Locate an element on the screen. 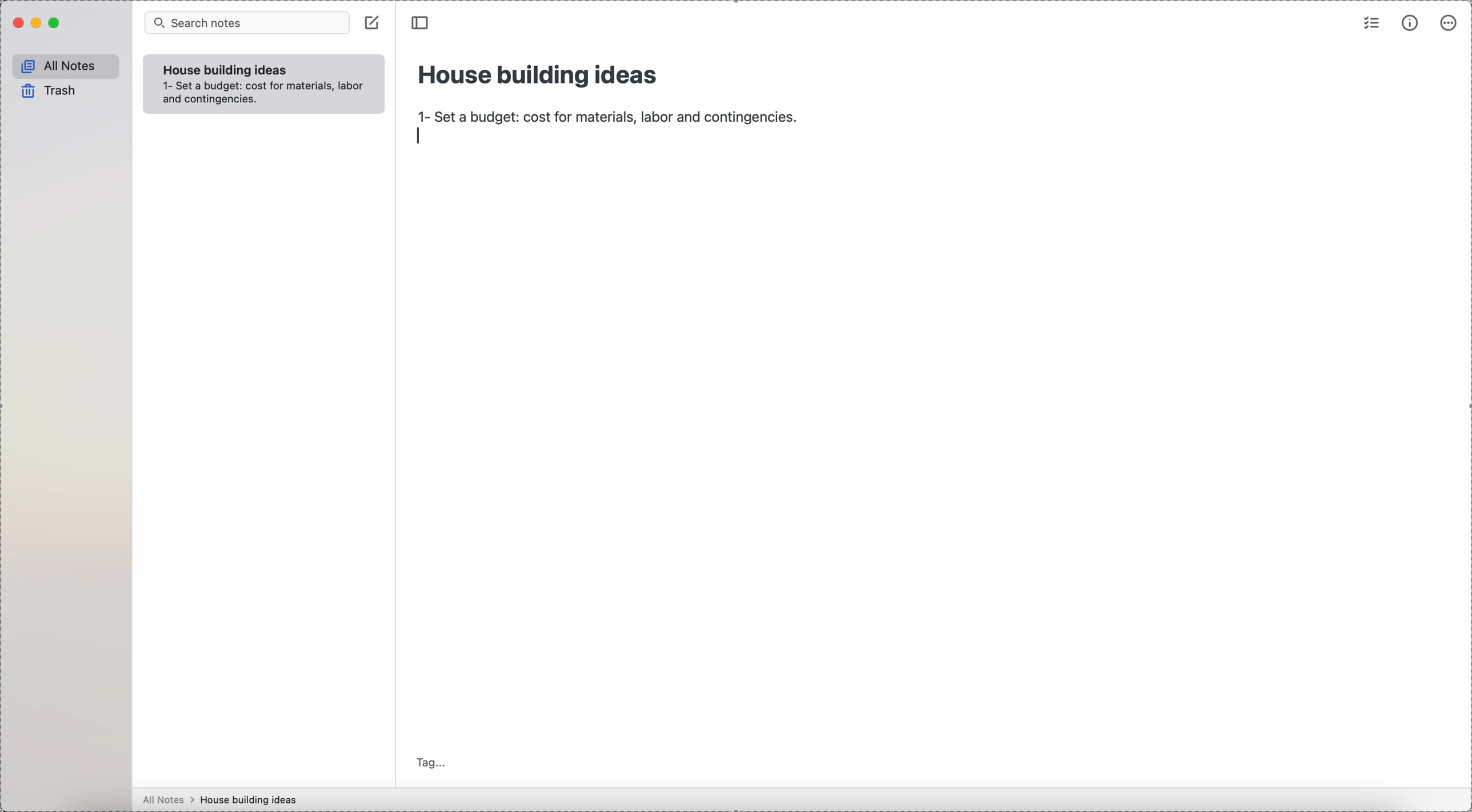 This screenshot has height=812, width=1472. set a budget cost for material,labor,and corbingencies is located at coordinates (267, 94).